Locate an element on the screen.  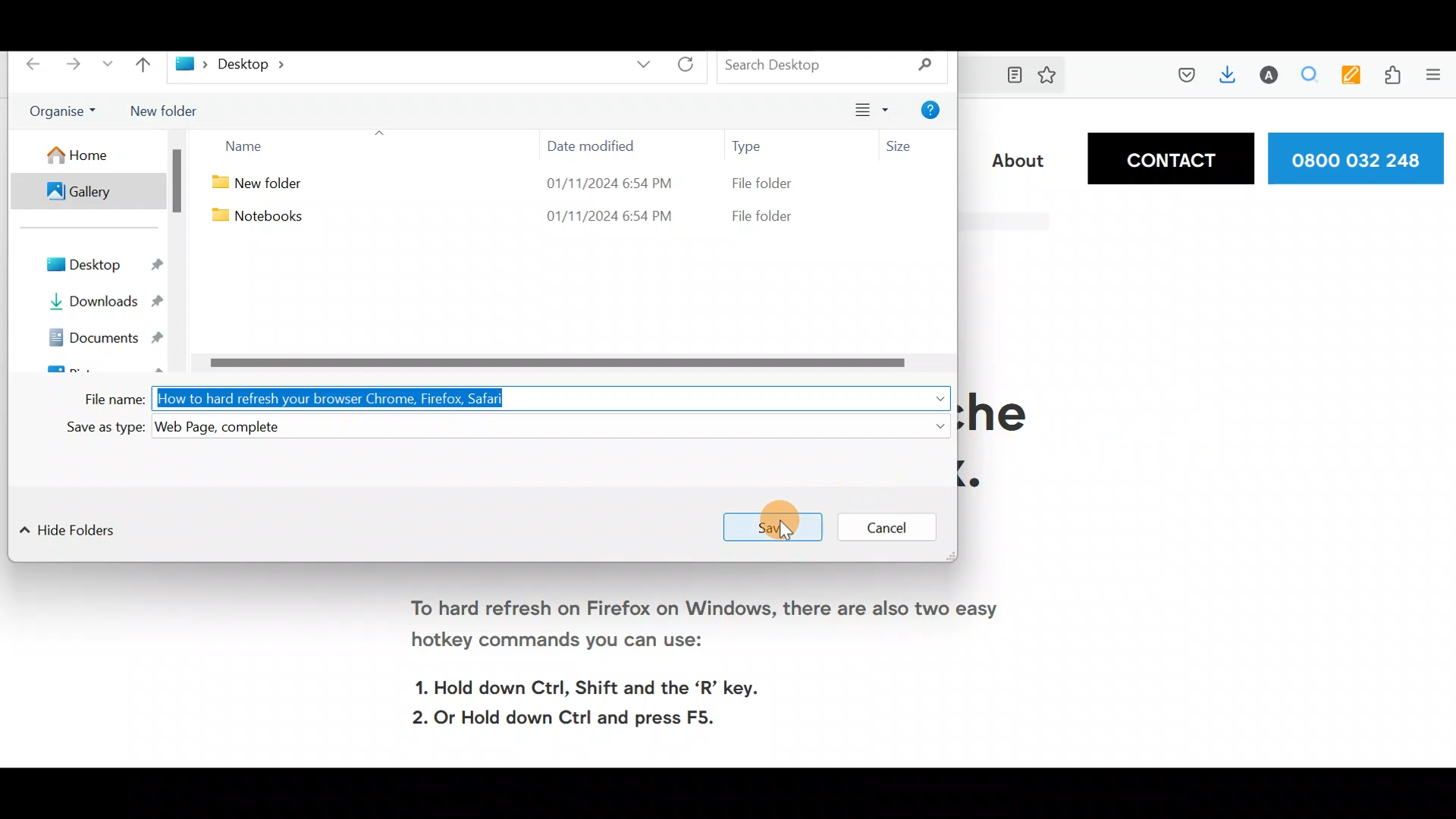
How to hard refresh your browser Chrome, Firefox, Safari is located at coordinates (335, 397).